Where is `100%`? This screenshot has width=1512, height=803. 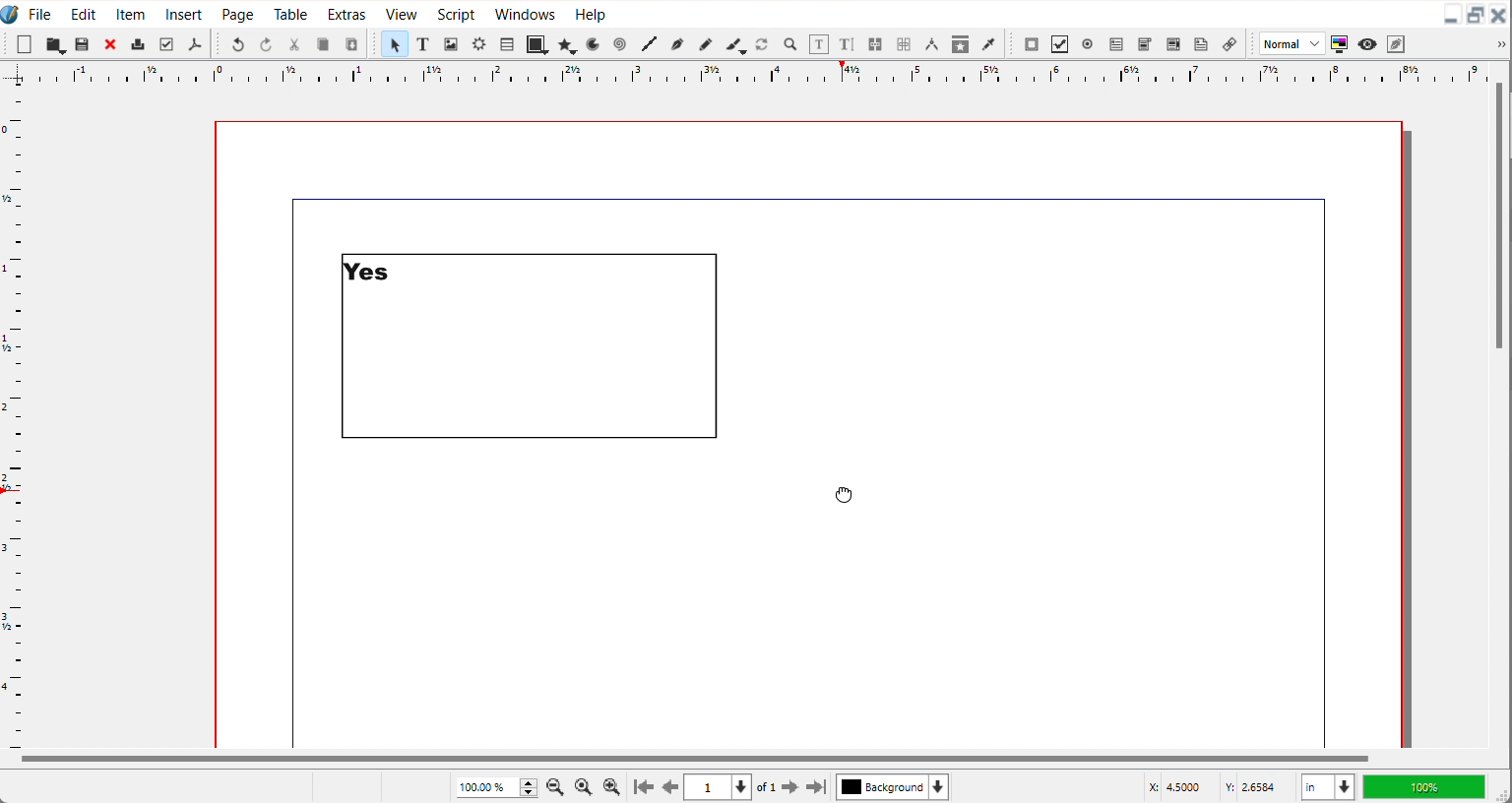 100% is located at coordinates (1423, 786).